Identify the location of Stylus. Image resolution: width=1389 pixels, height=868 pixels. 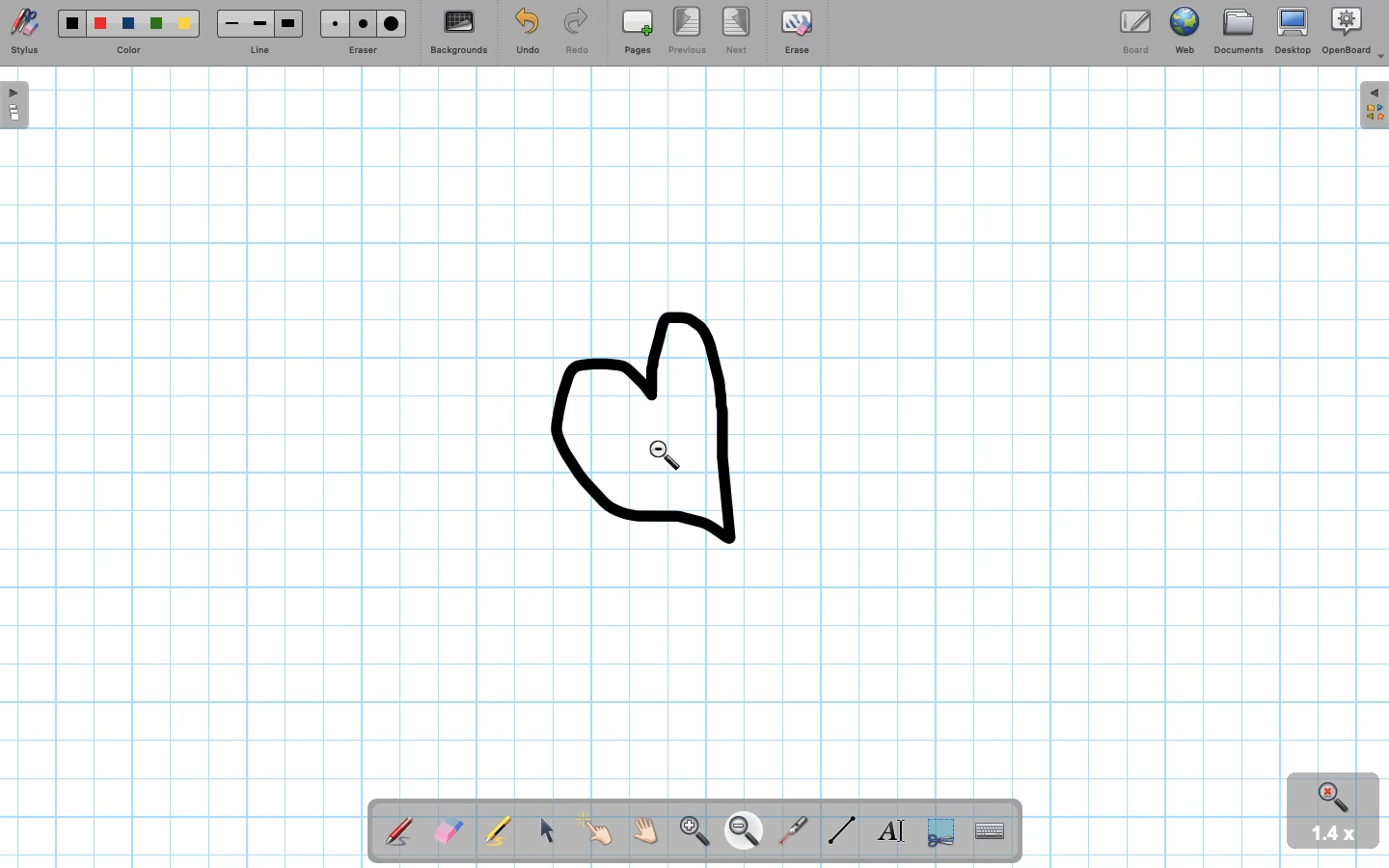
(398, 830).